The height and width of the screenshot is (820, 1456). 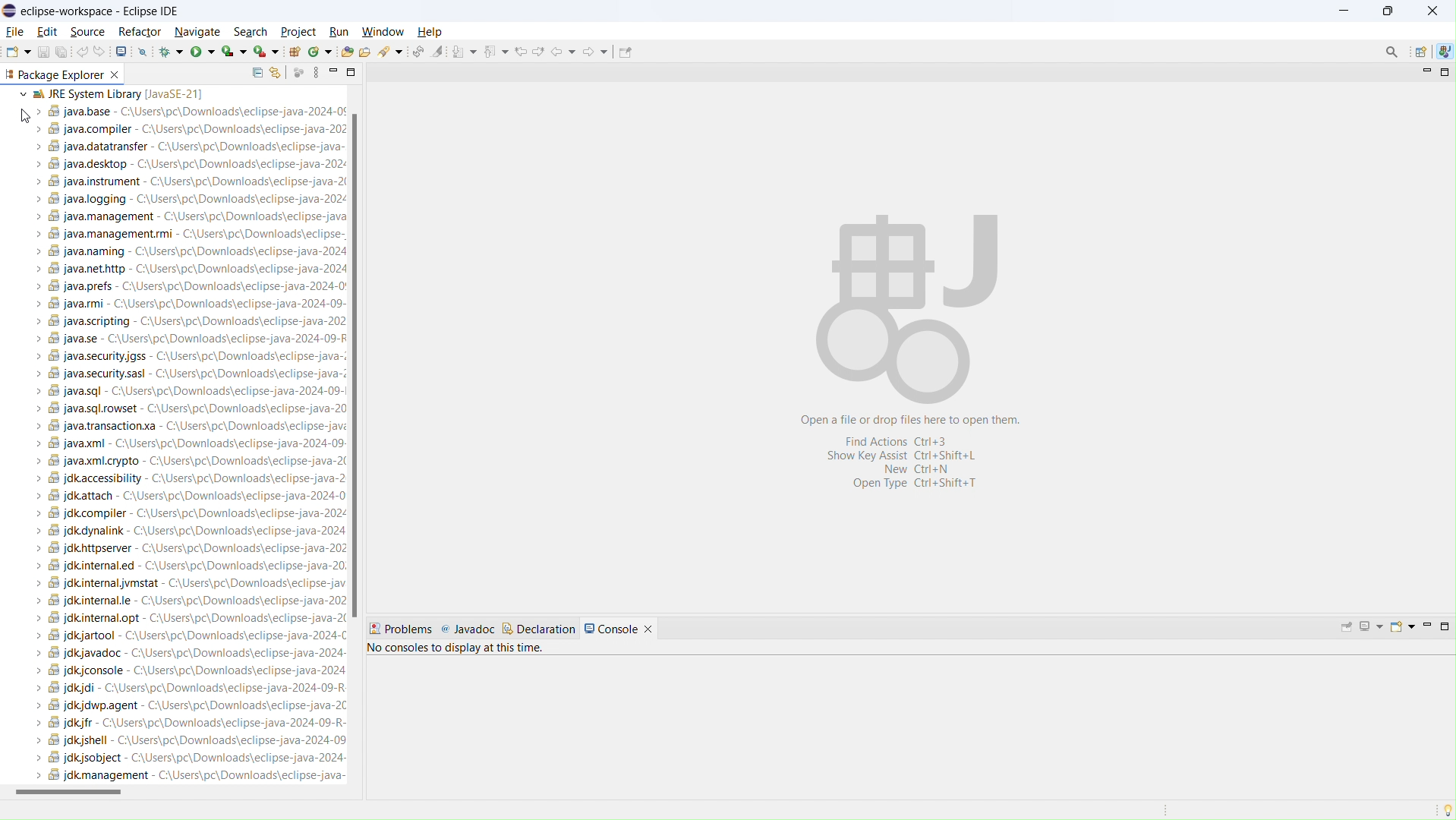 What do you see at coordinates (9, 11) in the screenshot?
I see `logo` at bounding box center [9, 11].